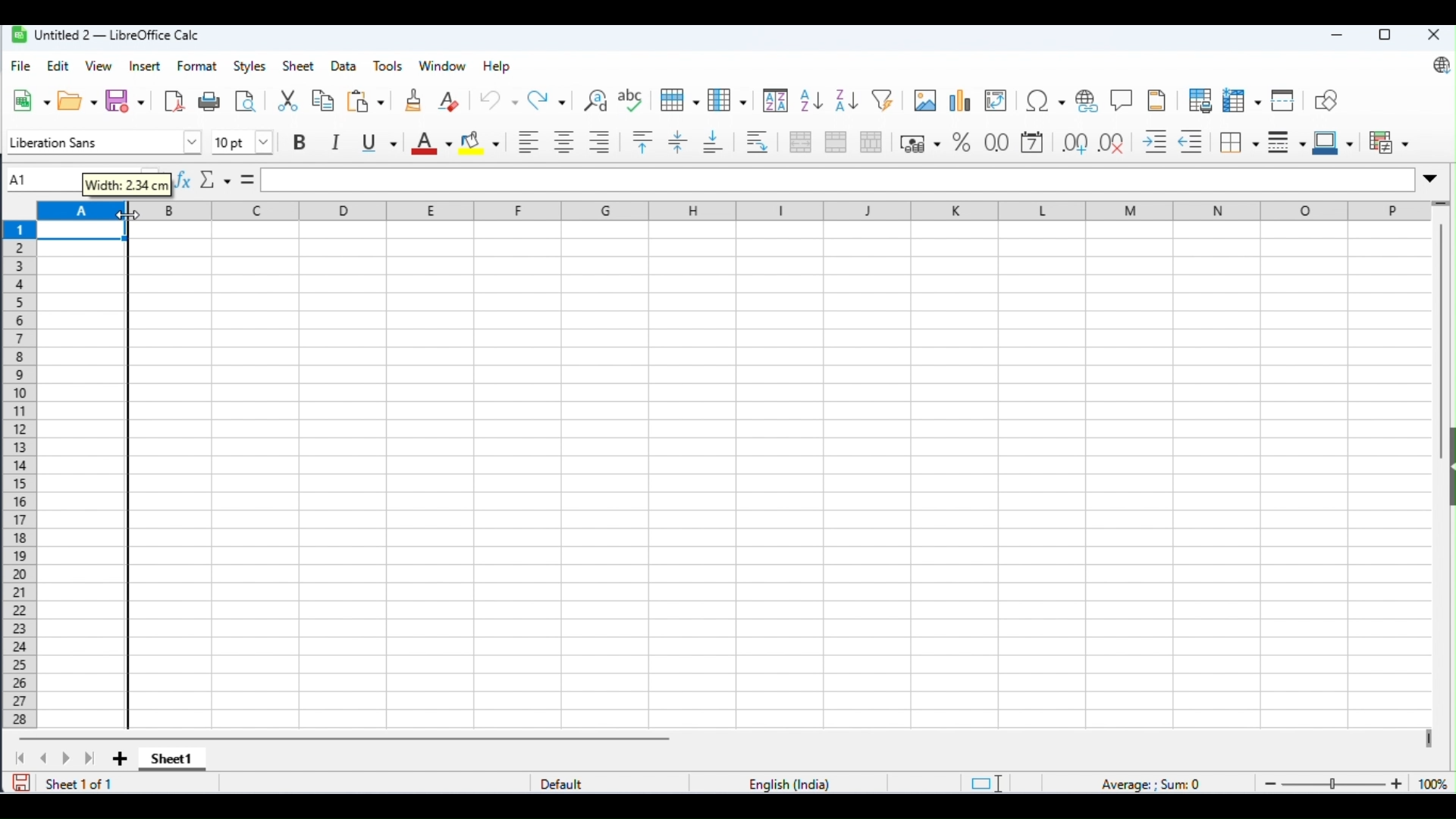 The width and height of the screenshot is (1456, 819). I want to click on lign to bottom, so click(714, 140).